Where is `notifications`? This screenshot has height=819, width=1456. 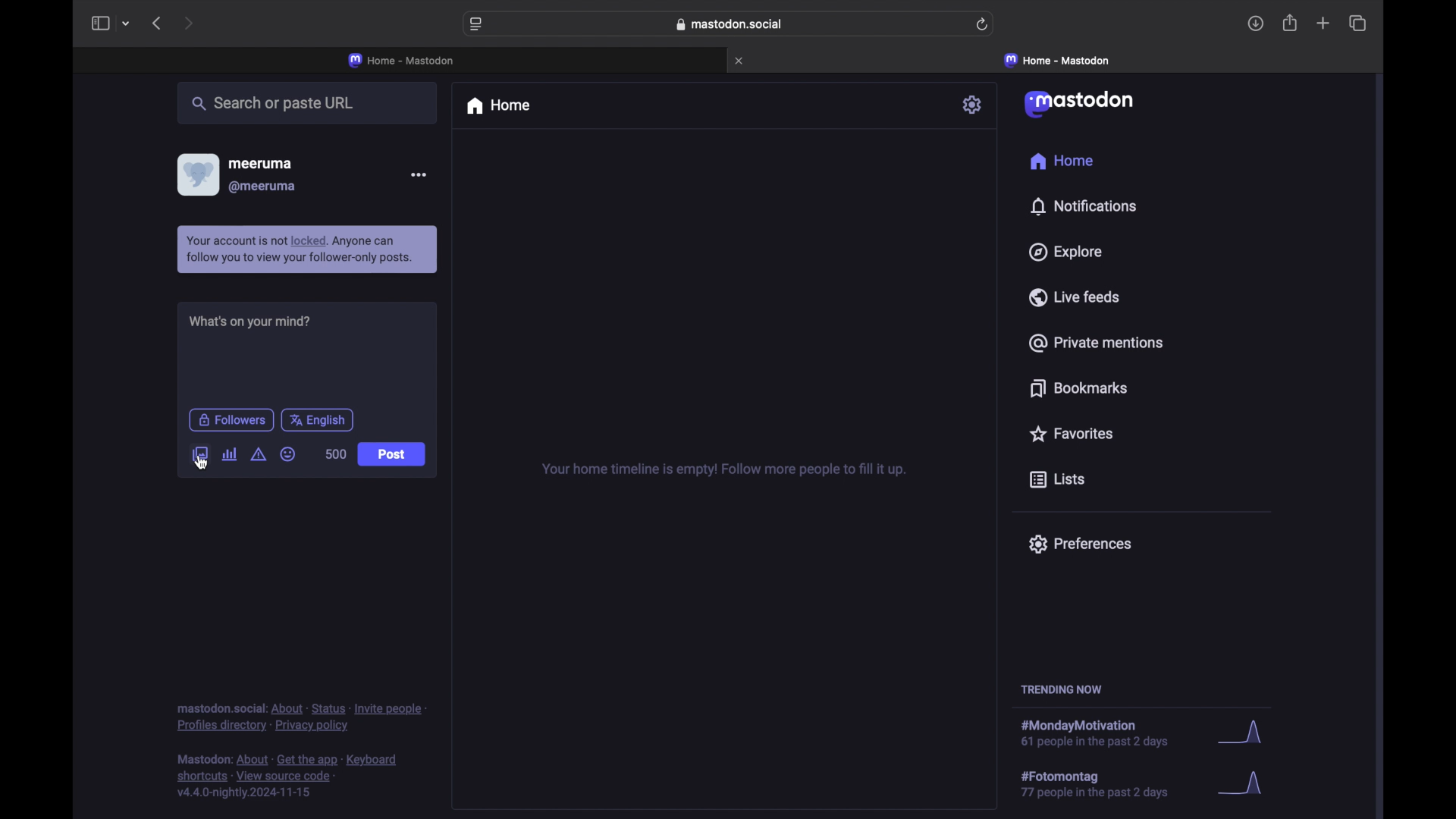
notifications is located at coordinates (1083, 206).